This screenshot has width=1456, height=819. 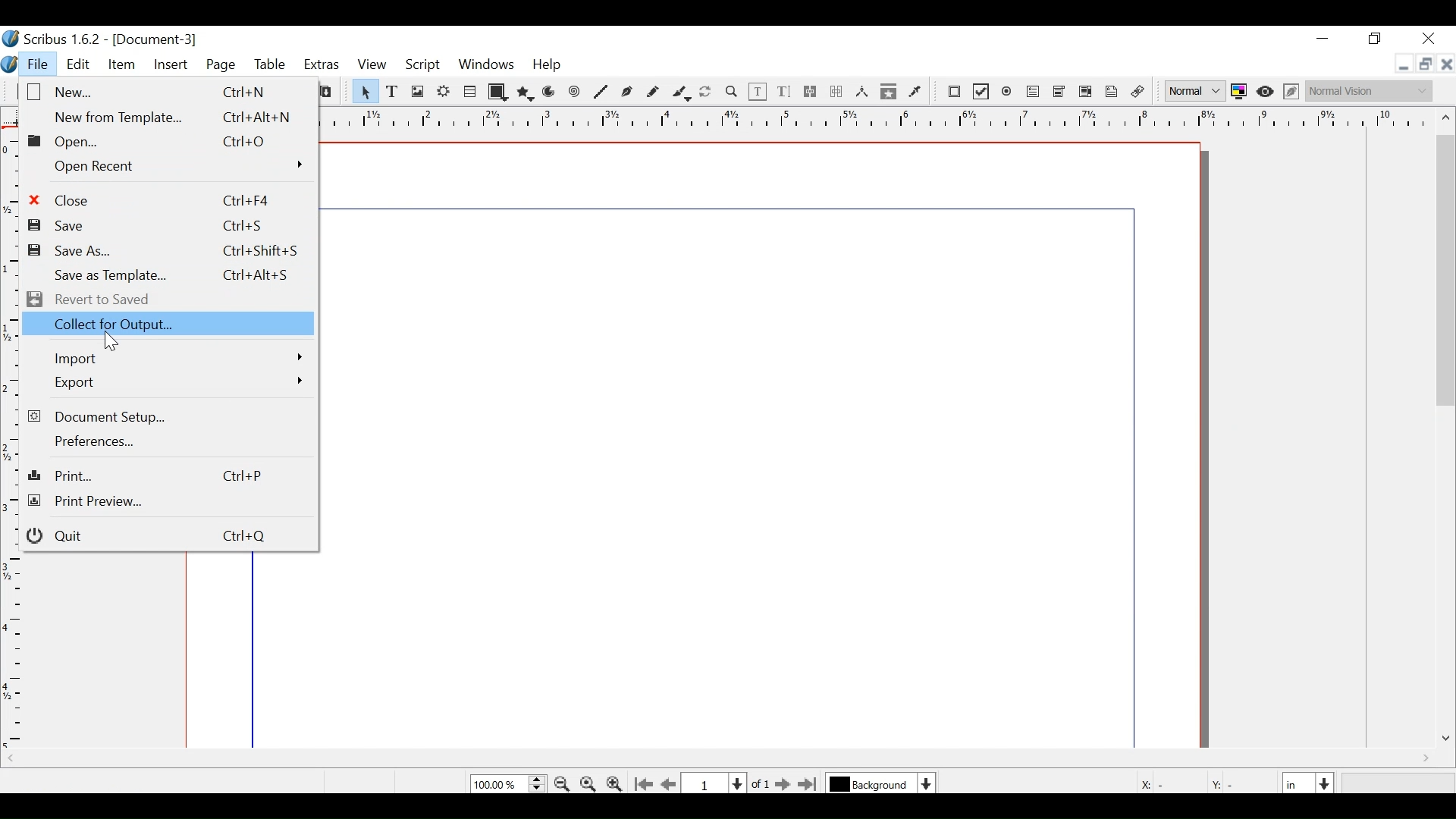 I want to click on Y:, so click(x=1220, y=782).